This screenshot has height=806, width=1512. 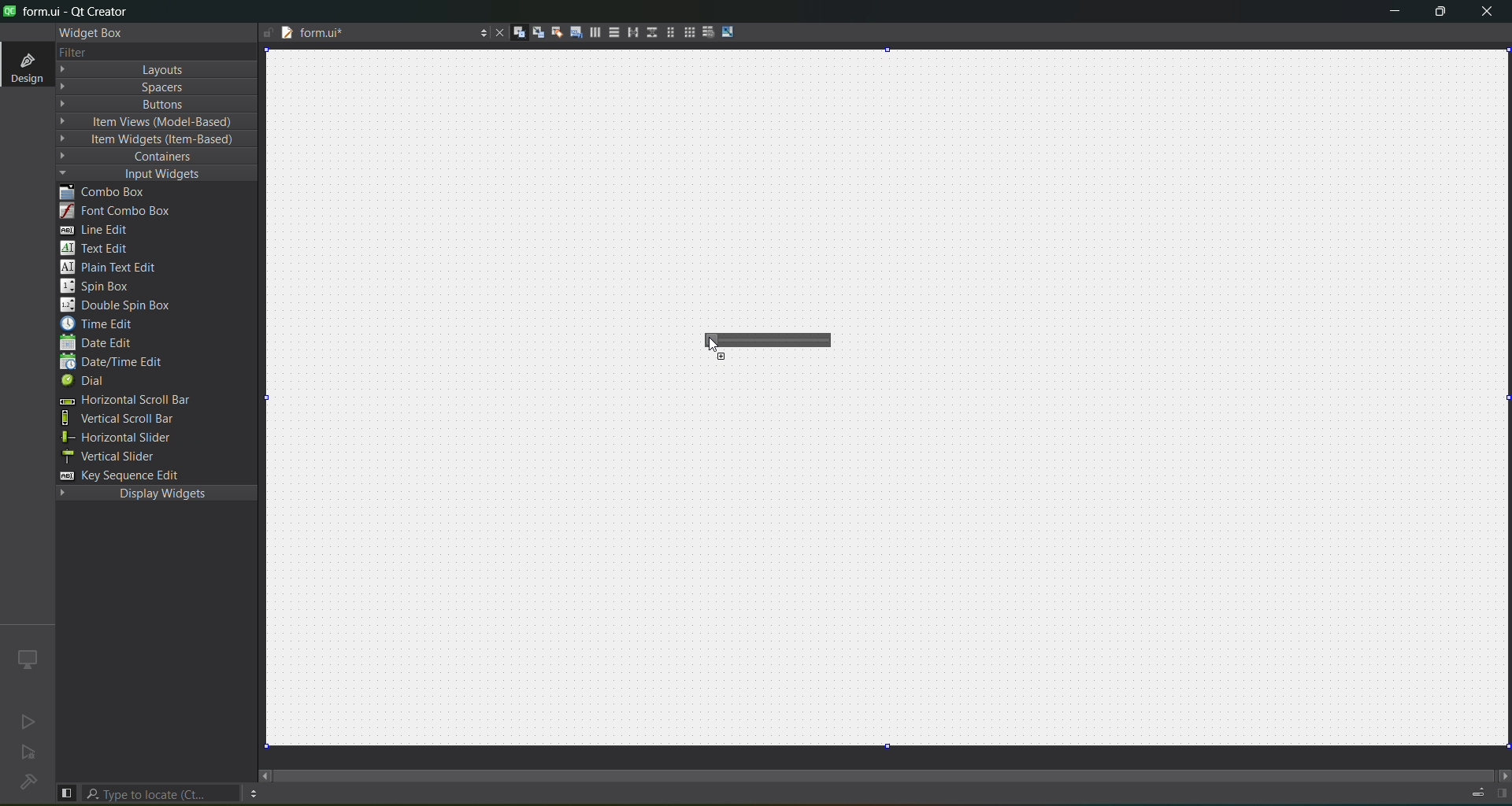 I want to click on buddies, so click(x=551, y=33).